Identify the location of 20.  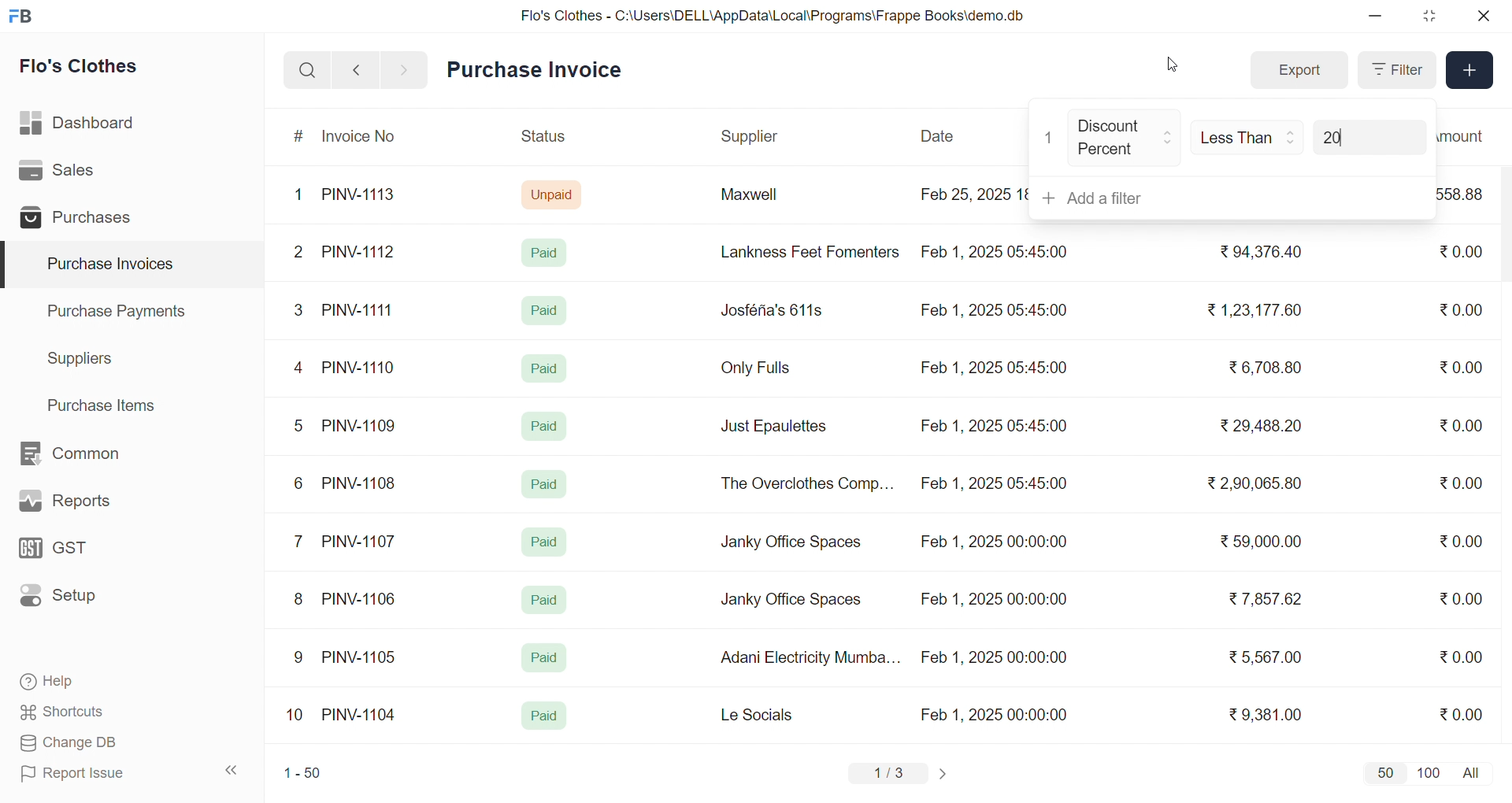
(1366, 134).